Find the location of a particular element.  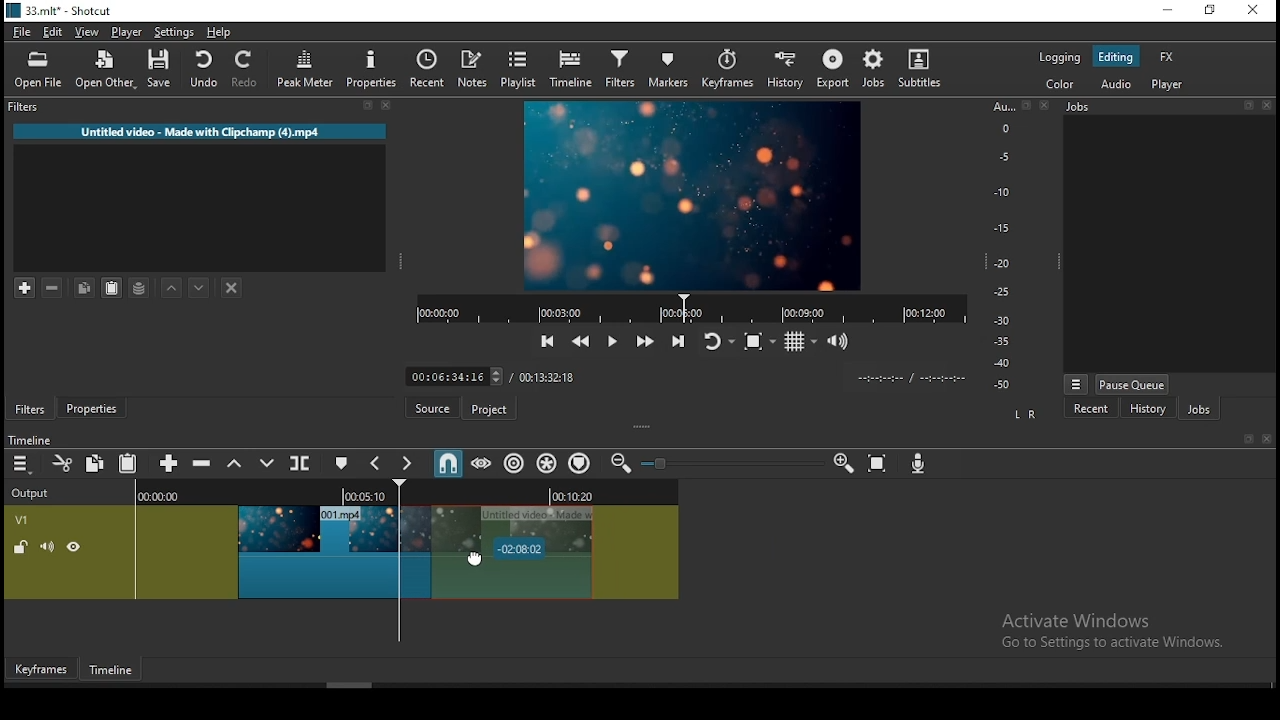

save is located at coordinates (163, 72).